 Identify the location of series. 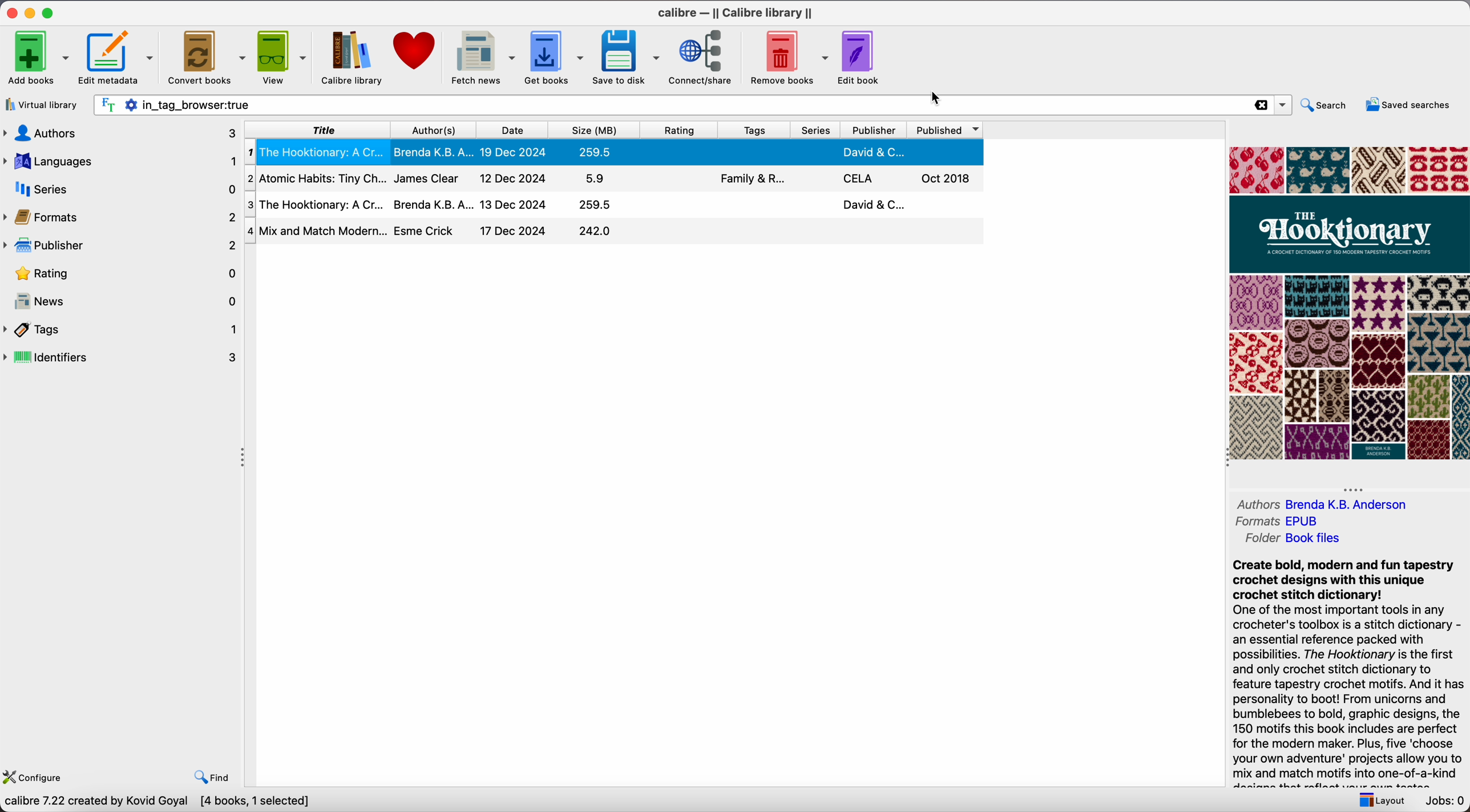
(817, 129).